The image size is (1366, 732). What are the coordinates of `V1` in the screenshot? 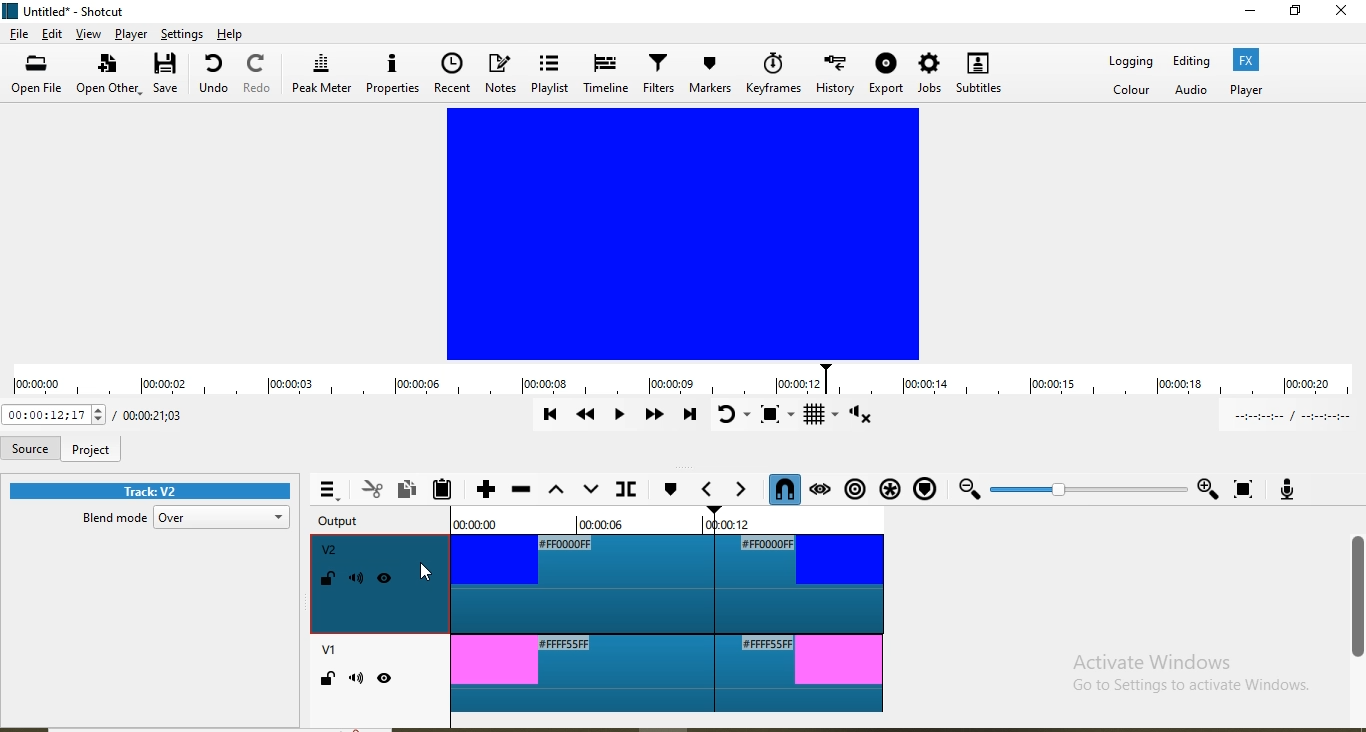 It's located at (327, 652).